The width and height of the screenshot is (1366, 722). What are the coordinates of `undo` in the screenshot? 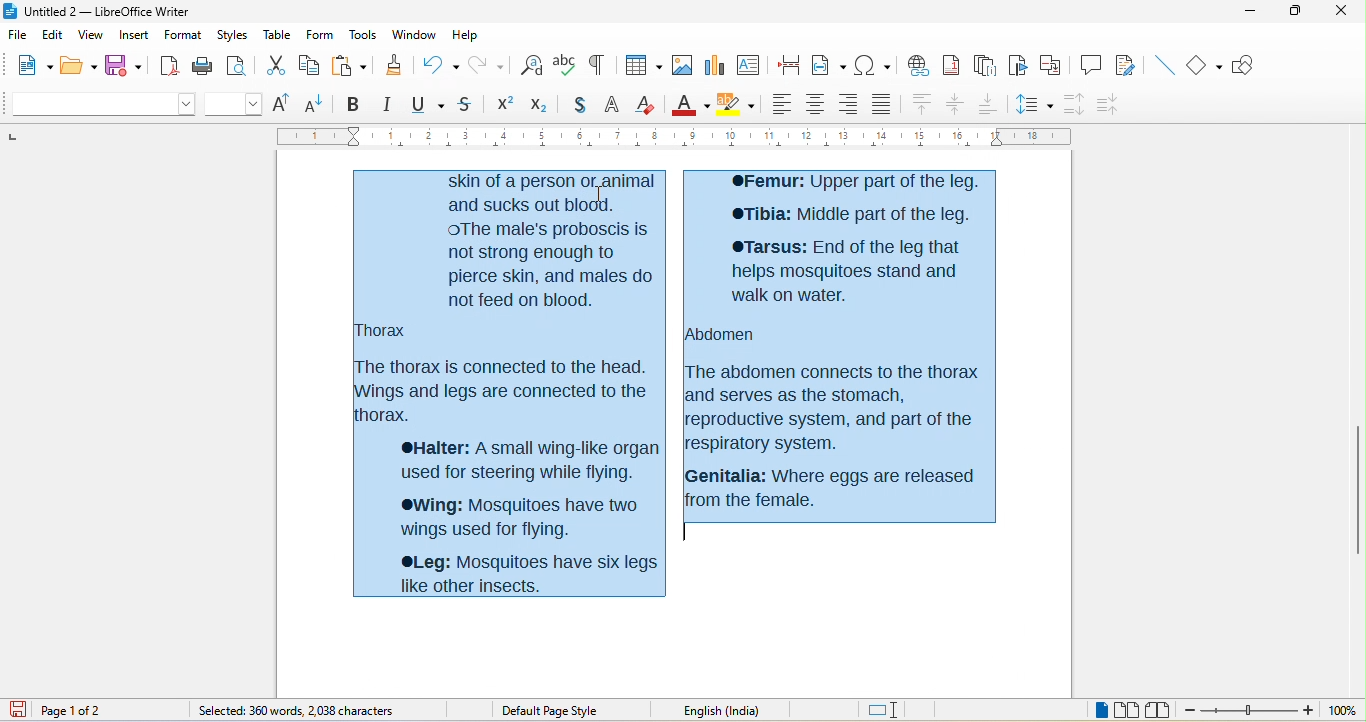 It's located at (436, 65).